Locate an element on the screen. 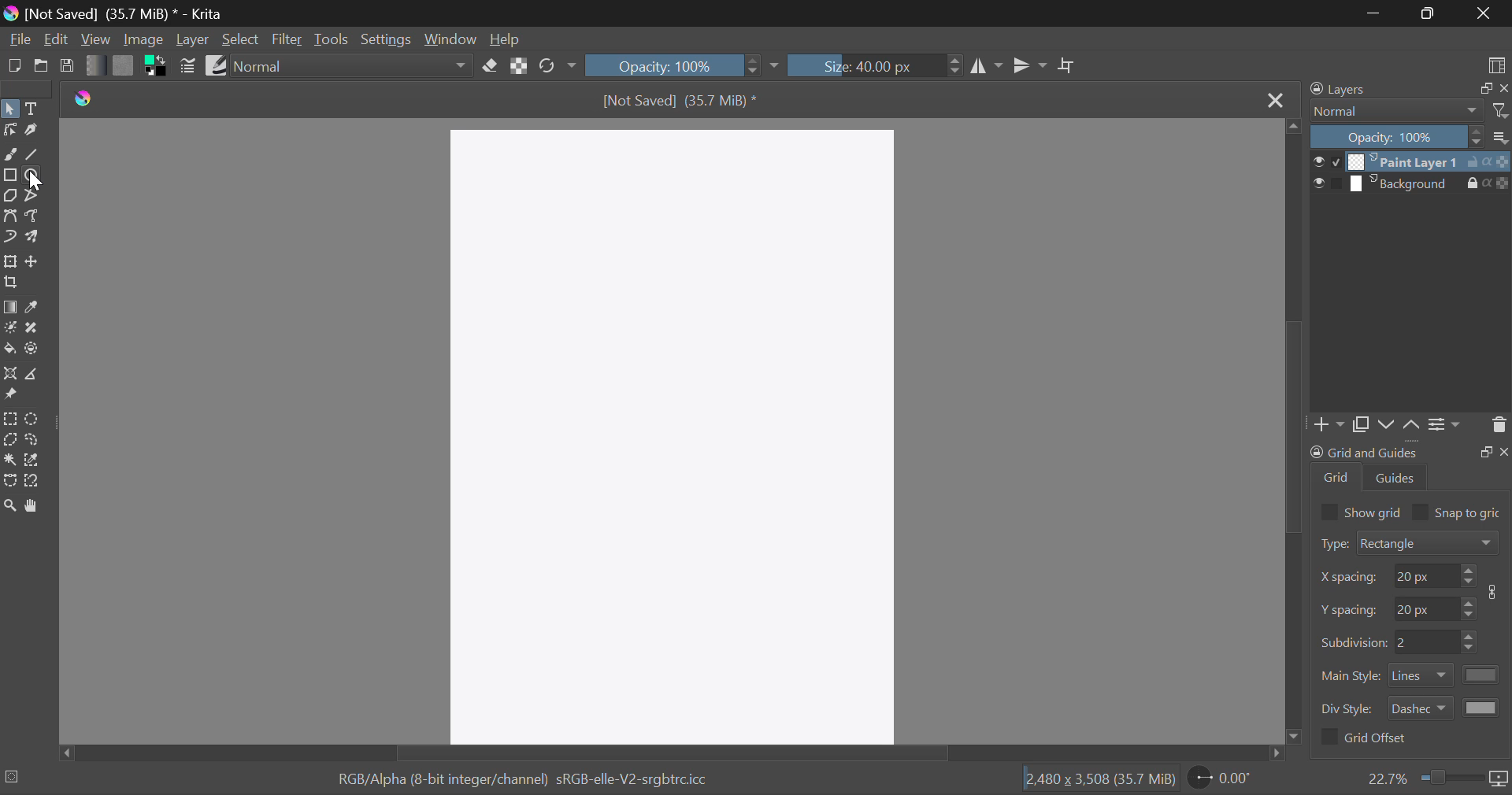 The height and width of the screenshot is (795, 1512). Magnetic Selection is located at coordinates (35, 480).